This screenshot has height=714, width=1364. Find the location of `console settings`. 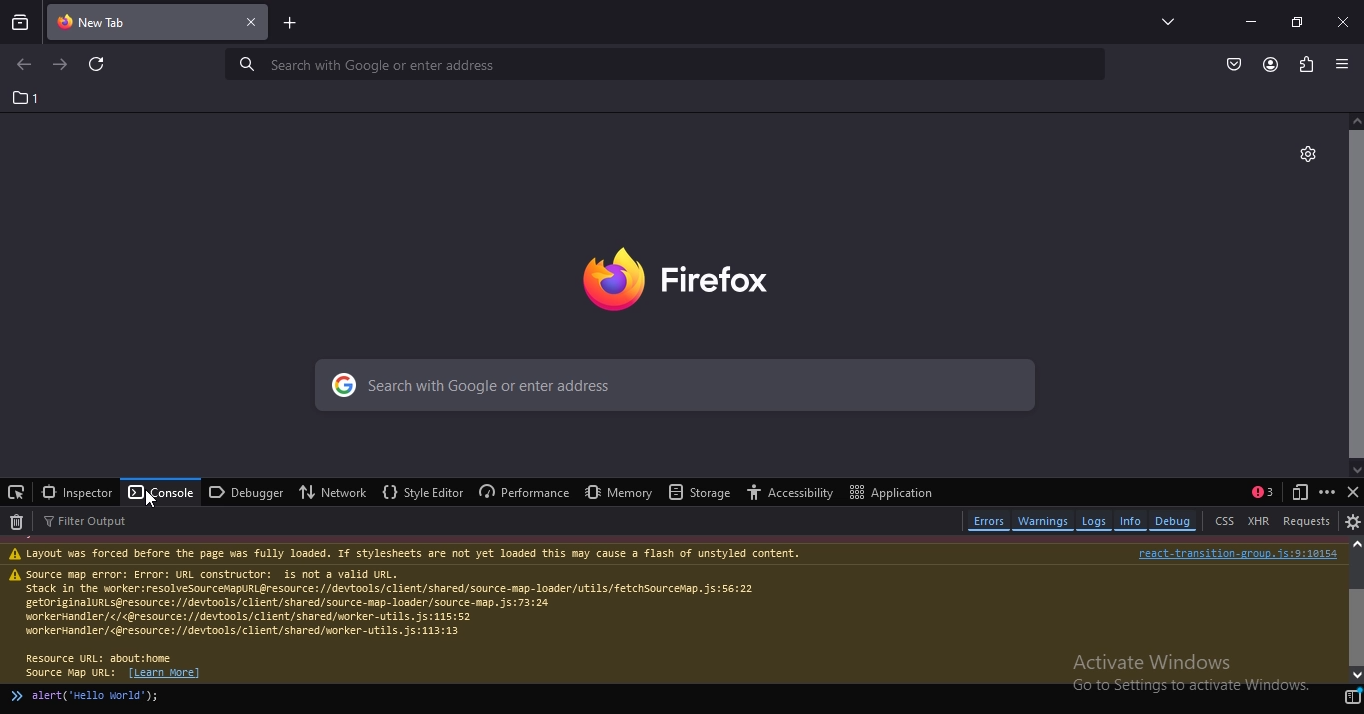

console settings is located at coordinates (1353, 521).